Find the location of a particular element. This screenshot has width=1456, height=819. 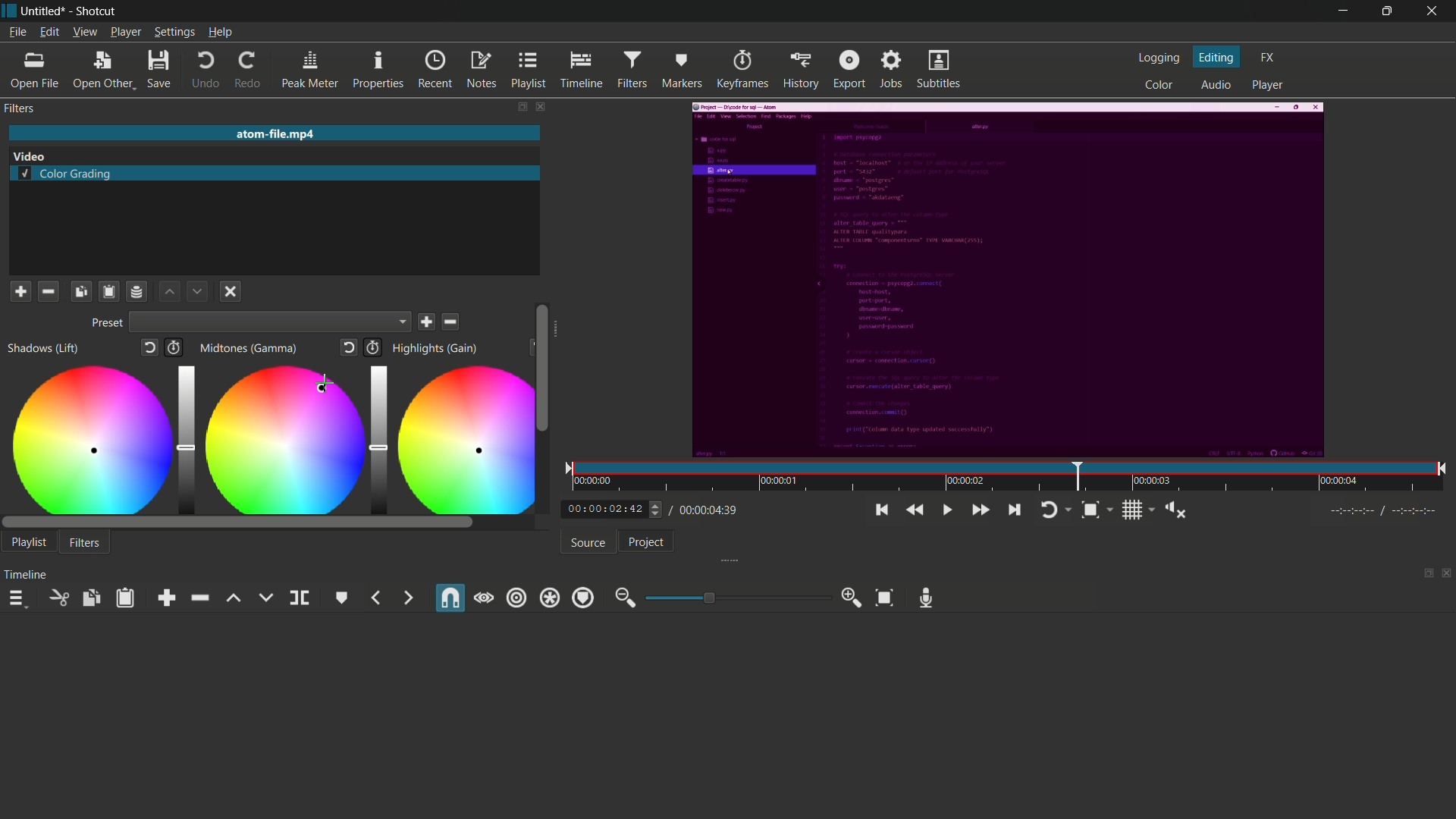

project is located at coordinates (645, 542).